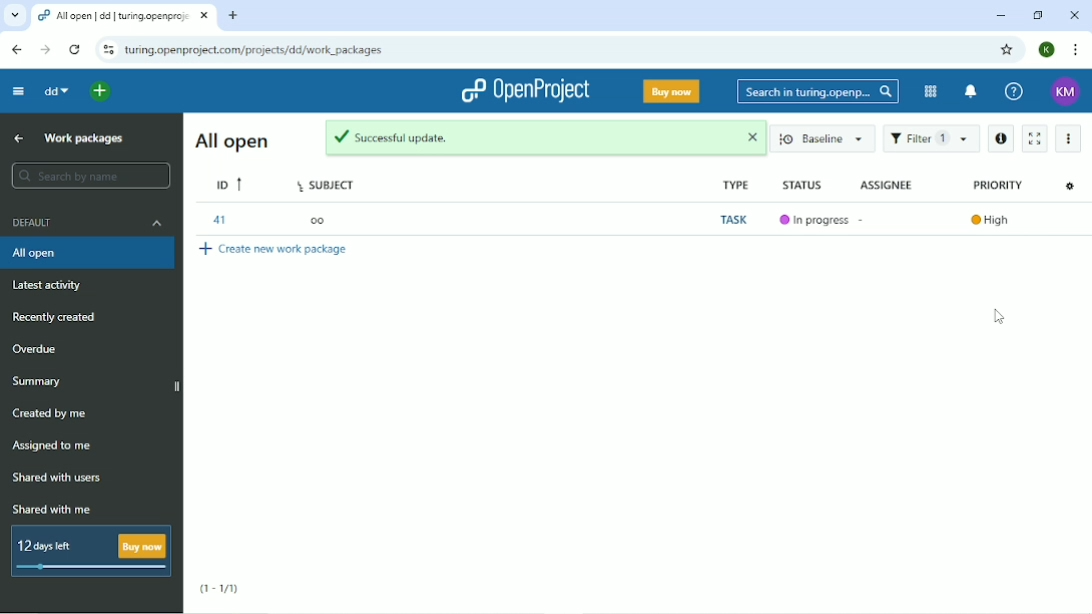  Describe the element at coordinates (56, 91) in the screenshot. I see `dd` at that location.